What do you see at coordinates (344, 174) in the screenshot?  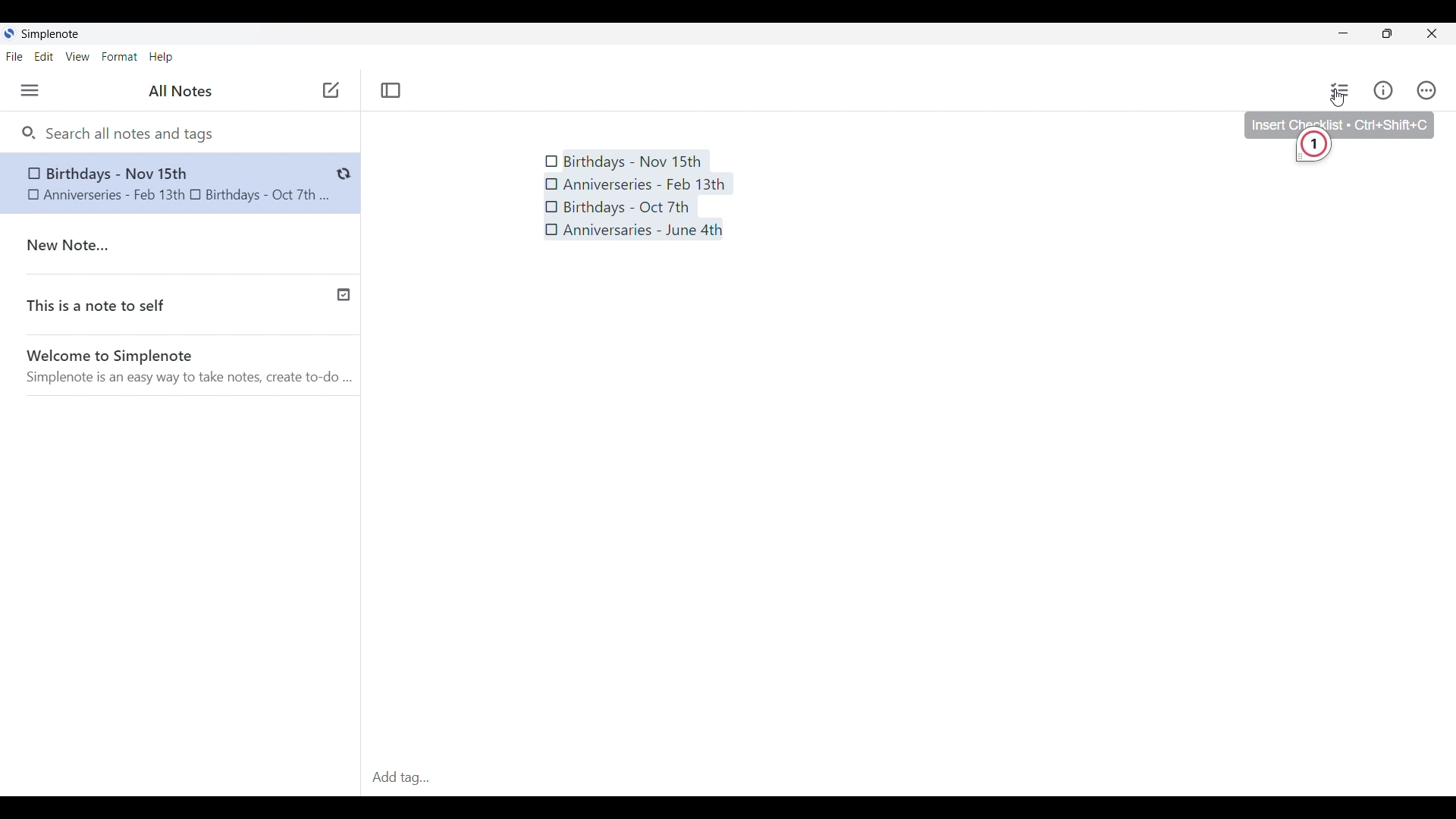 I see `Saving changes` at bounding box center [344, 174].